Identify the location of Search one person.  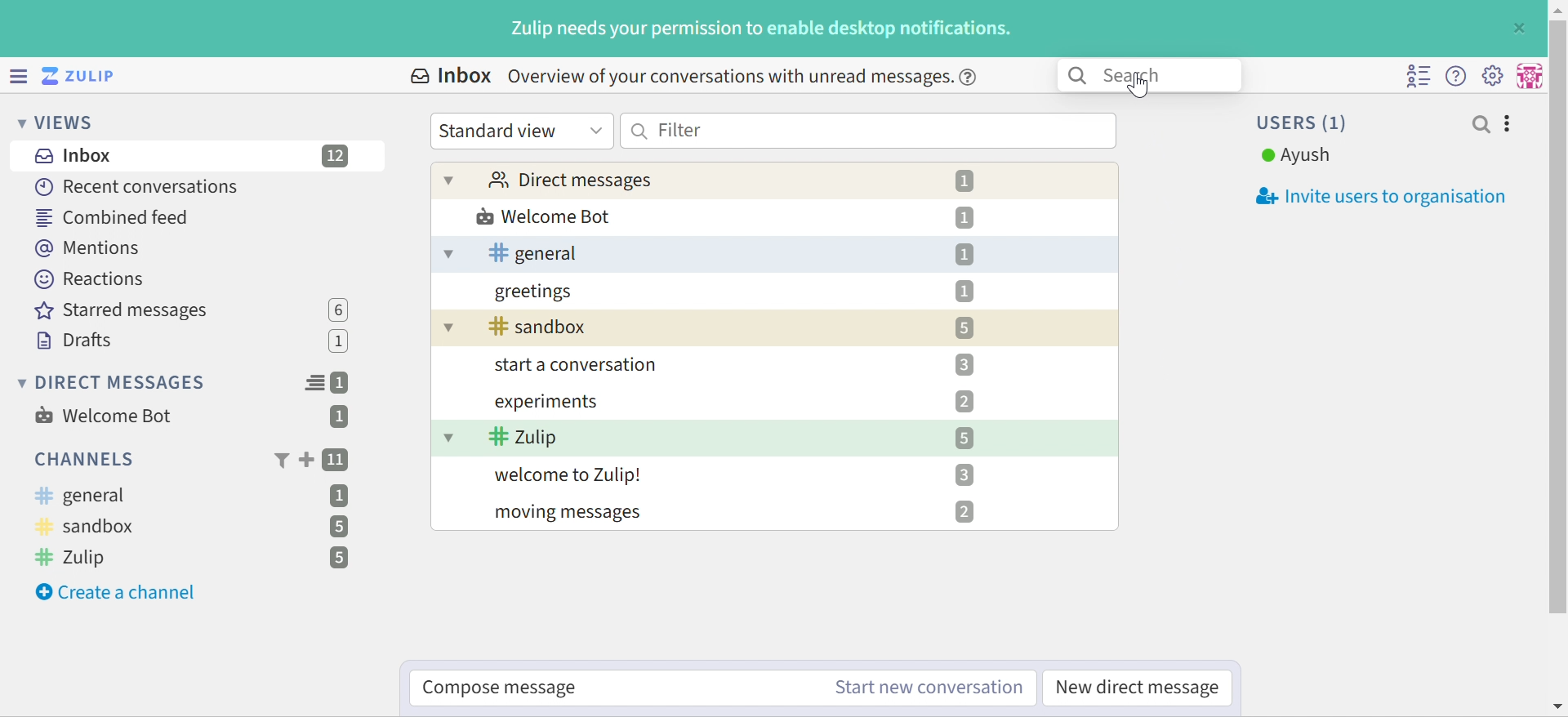
(1481, 124).